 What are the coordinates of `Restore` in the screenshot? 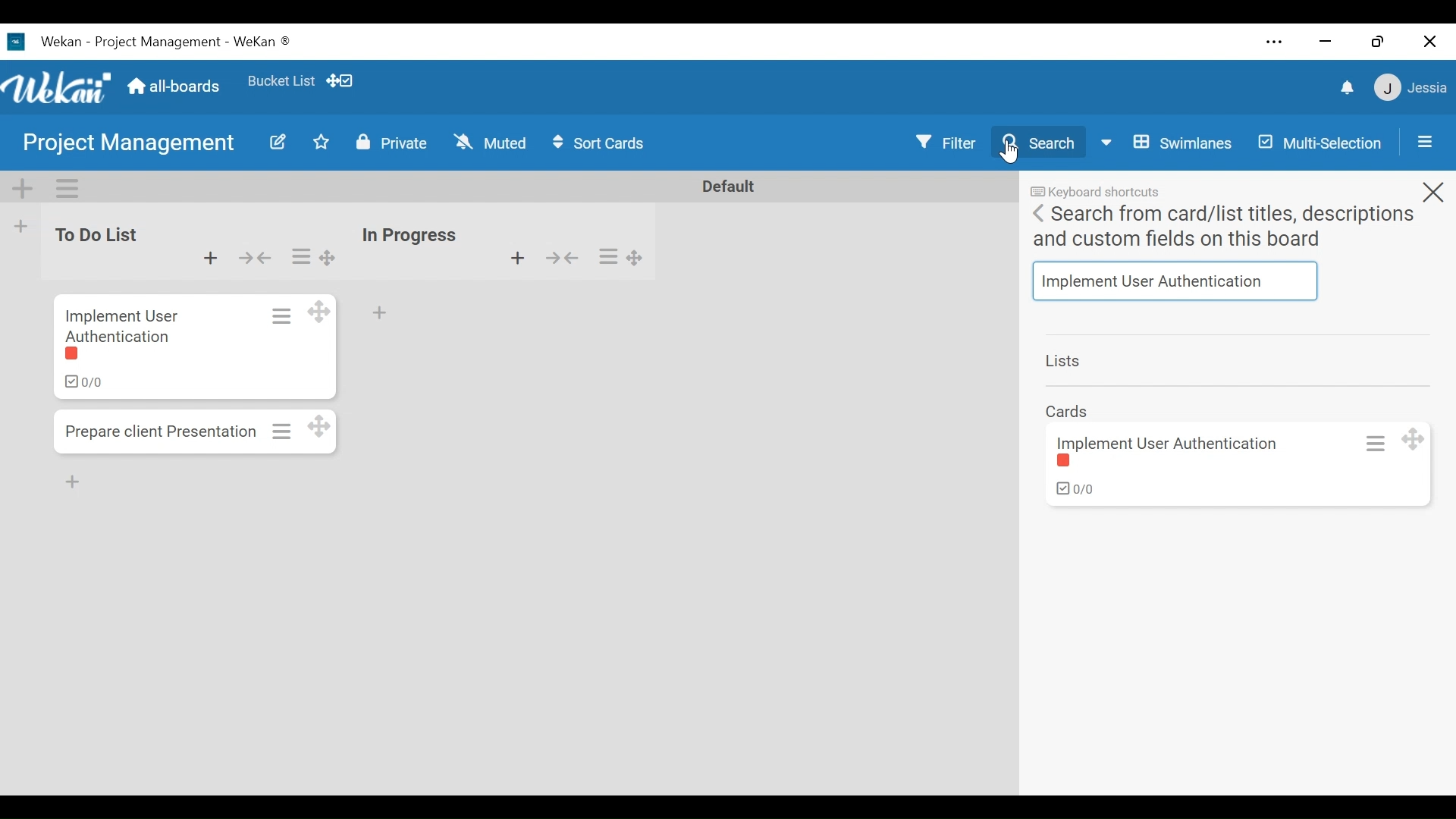 It's located at (1376, 42).